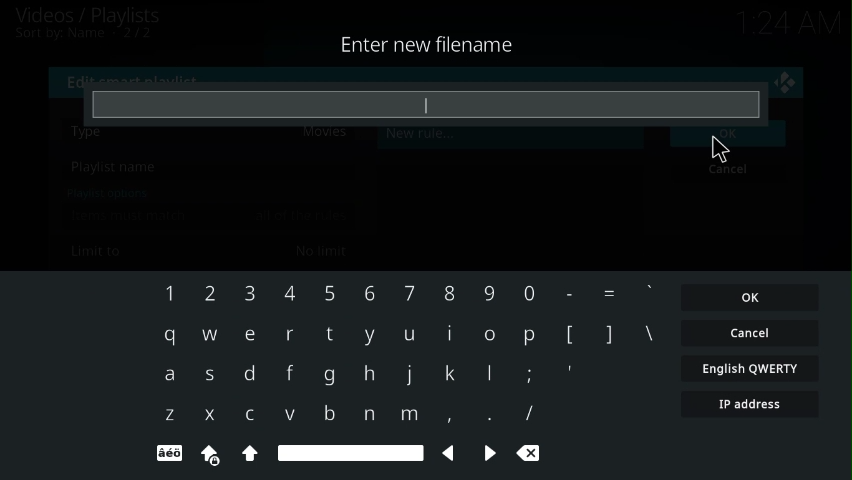 The height and width of the screenshot is (480, 852). I want to click on caps, so click(209, 454).